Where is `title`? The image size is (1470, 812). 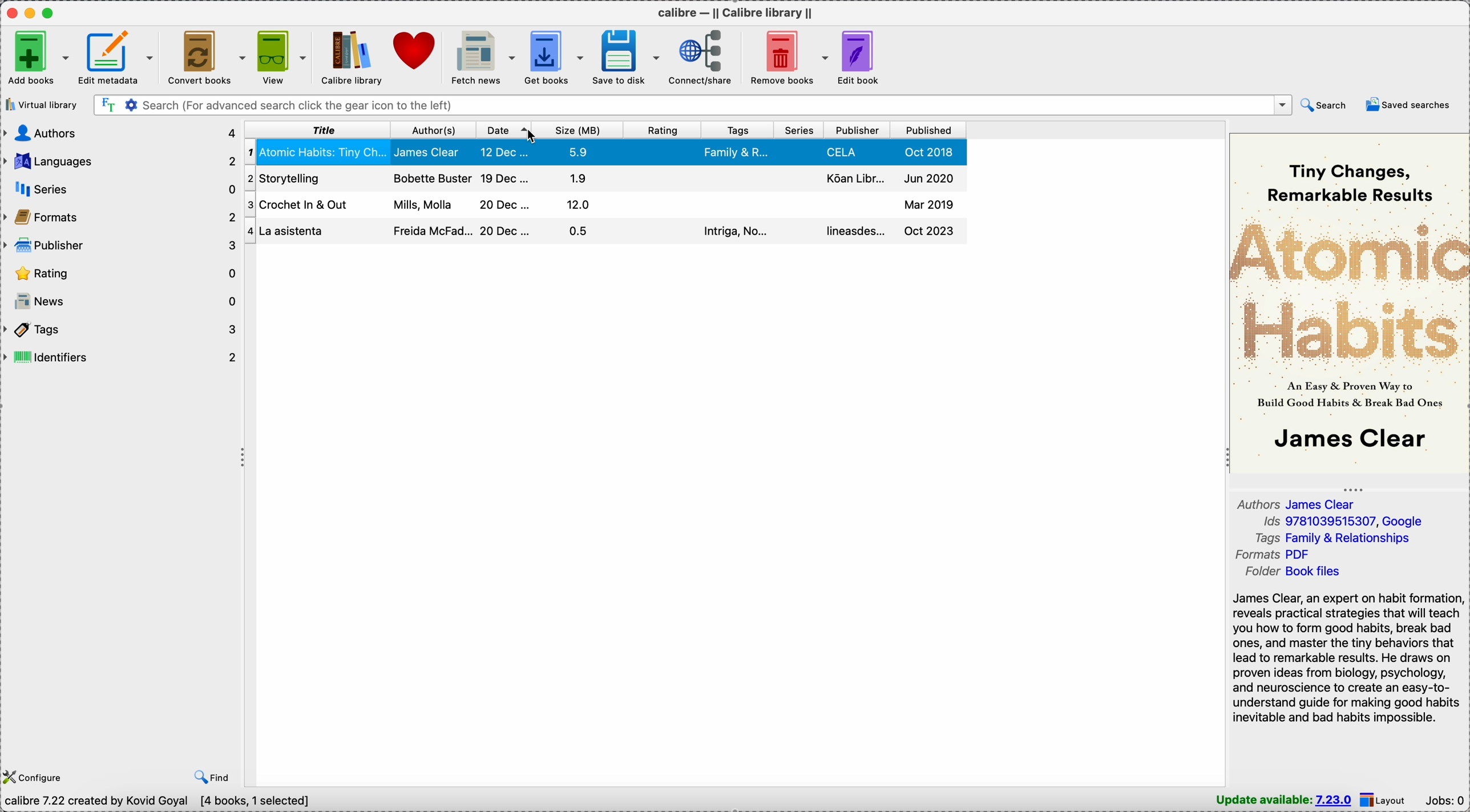 title is located at coordinates (318, 131).